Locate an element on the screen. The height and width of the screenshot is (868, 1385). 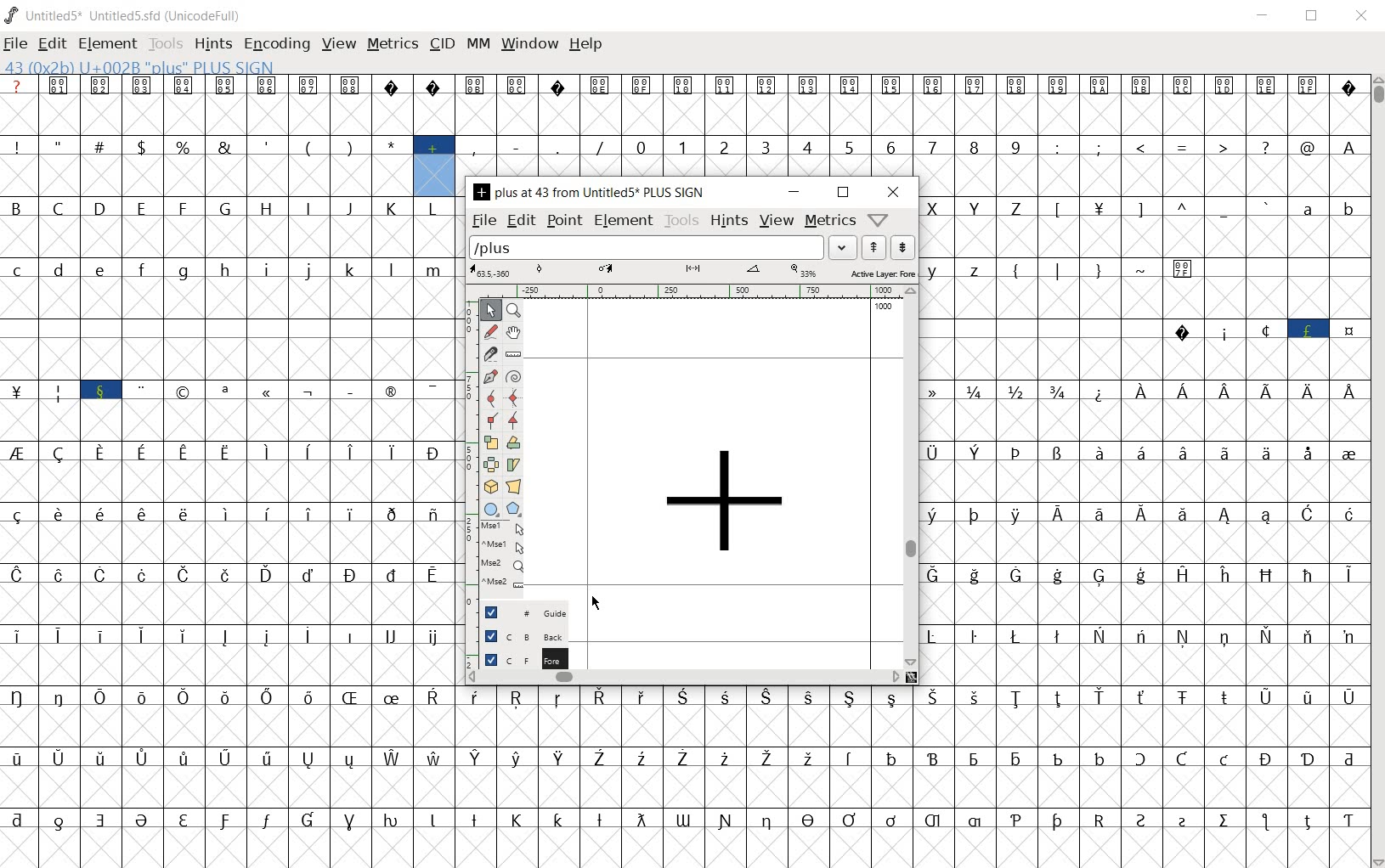
change whether spiro is active or not is located at coordinates (514, 375).